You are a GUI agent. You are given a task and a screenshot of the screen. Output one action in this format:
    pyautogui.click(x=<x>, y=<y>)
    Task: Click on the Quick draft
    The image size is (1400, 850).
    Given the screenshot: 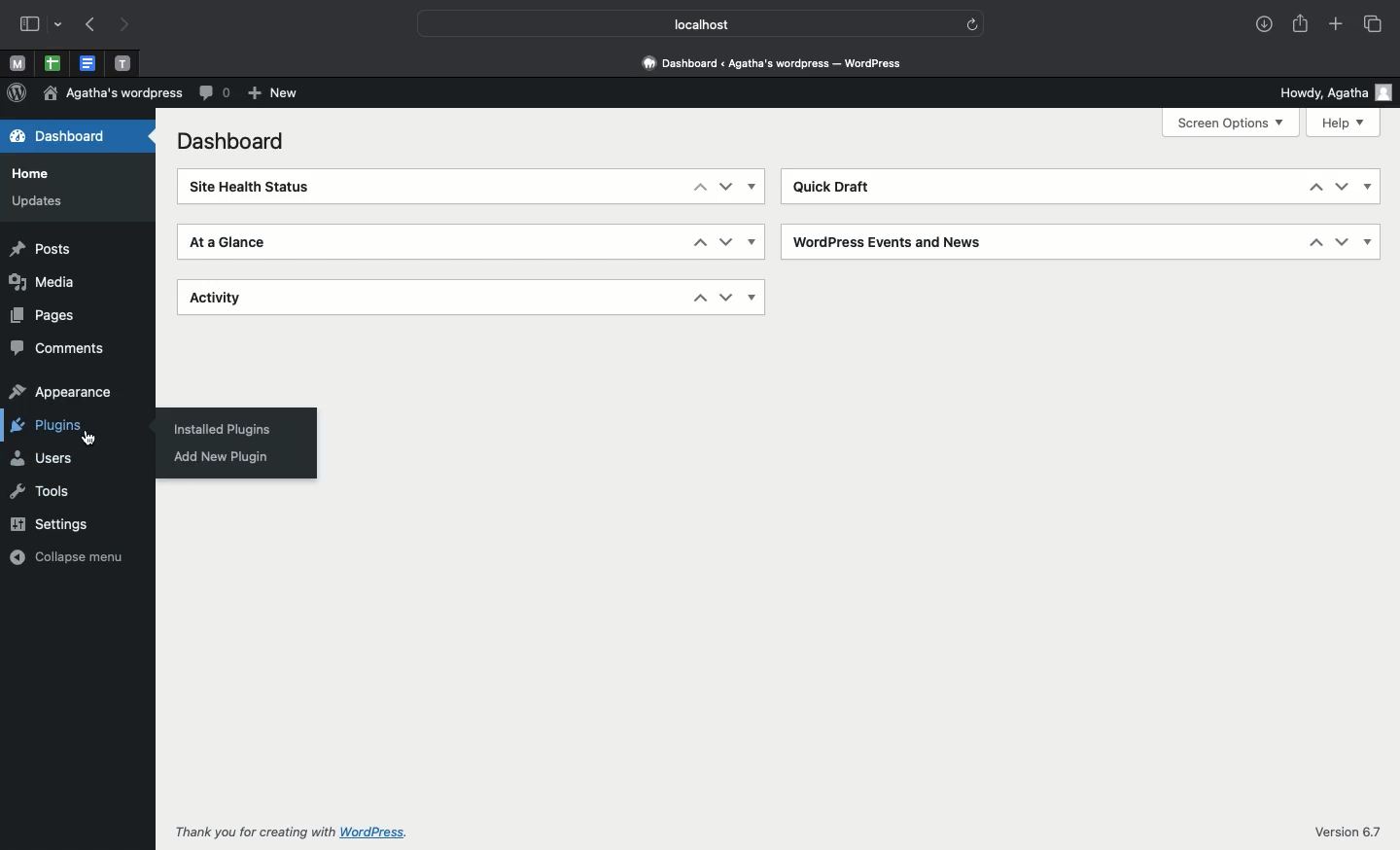 What is the action you would take?
    pyautogui.click(x=833, y=189)
    